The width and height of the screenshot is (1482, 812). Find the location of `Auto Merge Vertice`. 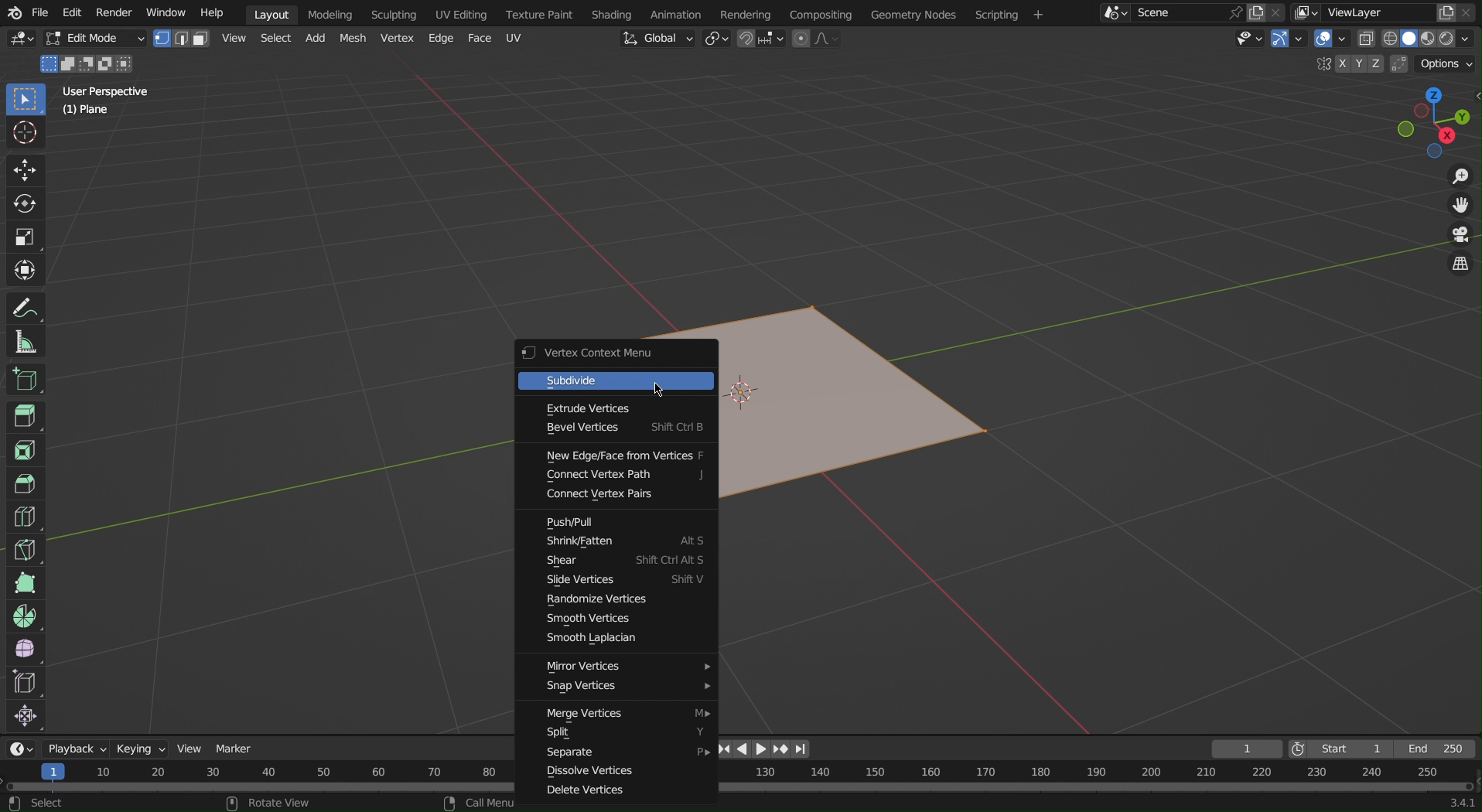

Auto Merge Vertice is located at coordinates (1397, 63).